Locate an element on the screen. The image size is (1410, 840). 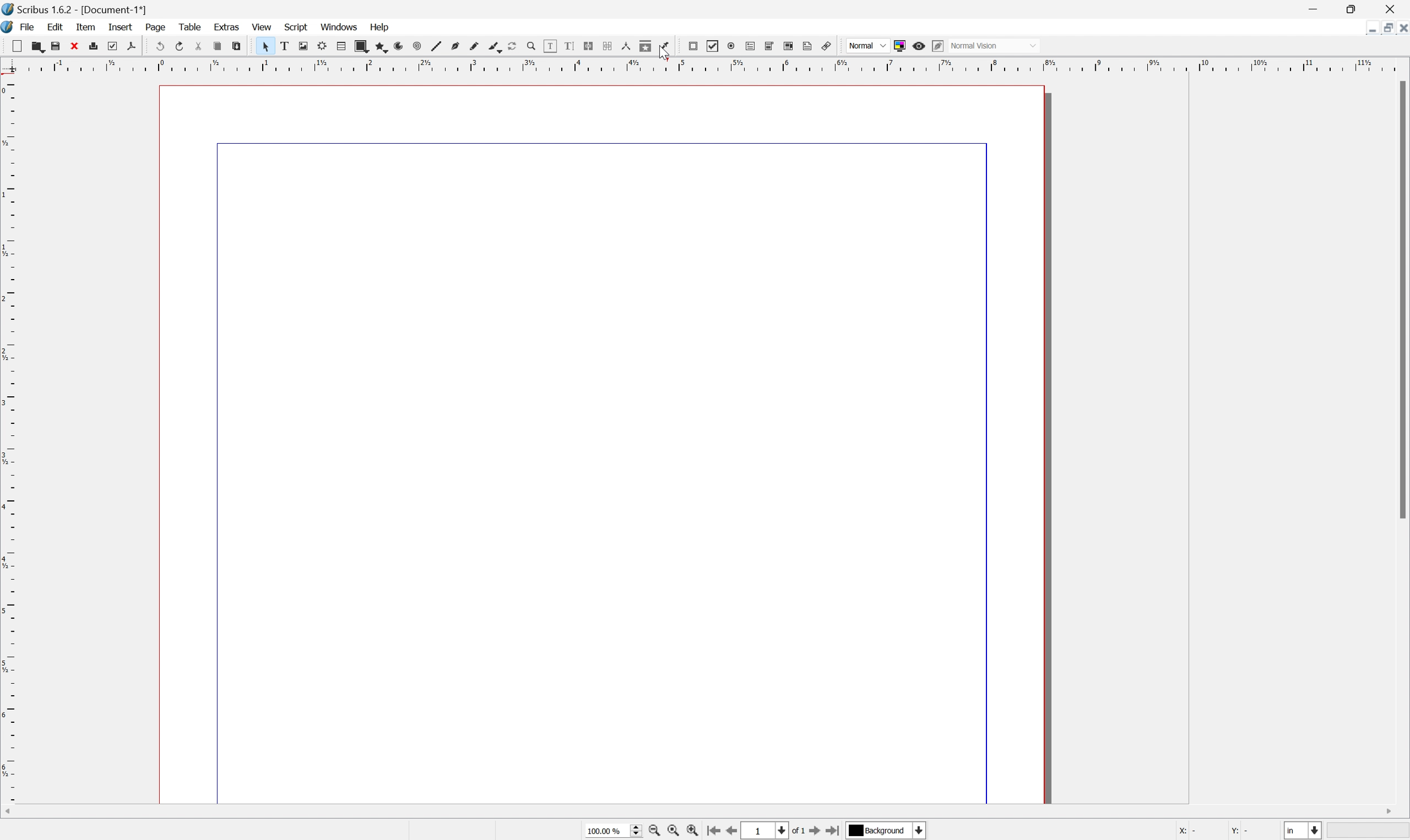
Background is located at coordinates (887, 831).